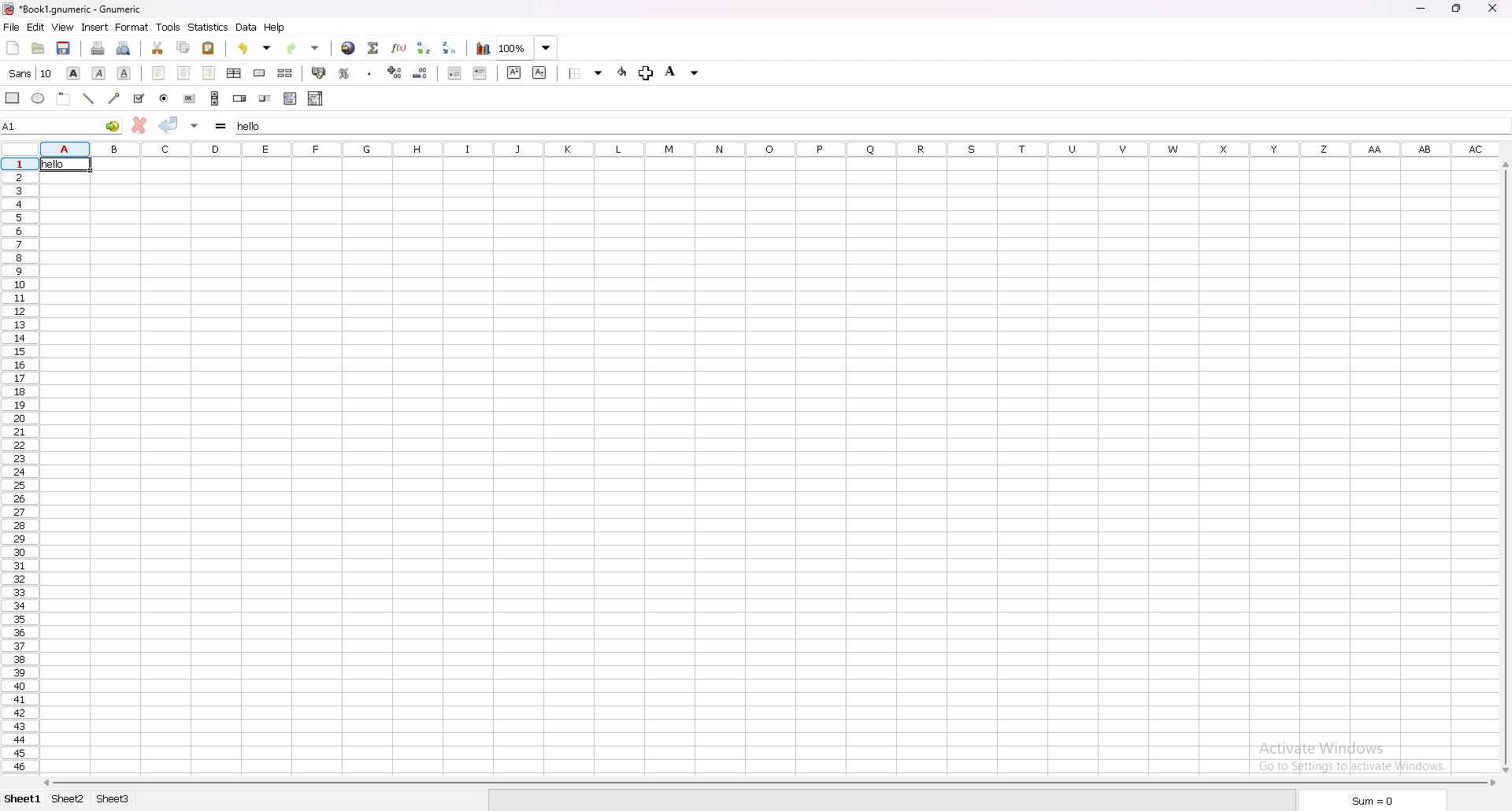 This screenshot has width=1512, height=811. I want to click on foreground, so click(634, 72).